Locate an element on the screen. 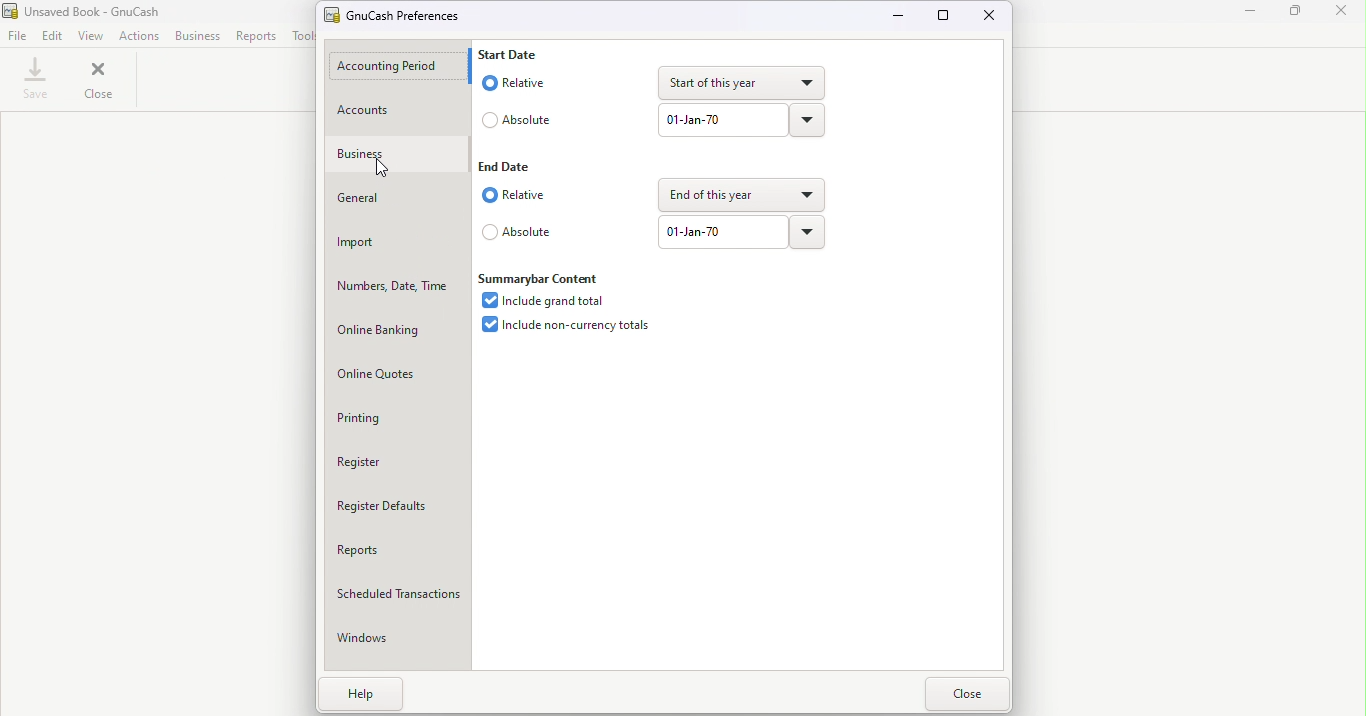  End date is located at coordinates (508, 165).